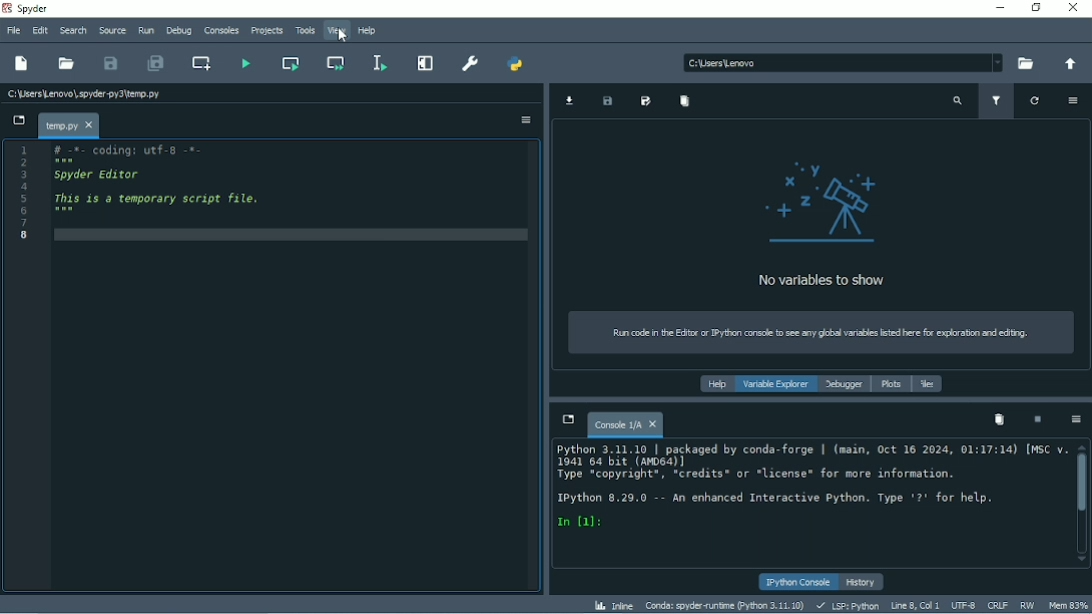 The width and height of the screenshot is (1092, 614). I want to click on Location, so click(841, 62).